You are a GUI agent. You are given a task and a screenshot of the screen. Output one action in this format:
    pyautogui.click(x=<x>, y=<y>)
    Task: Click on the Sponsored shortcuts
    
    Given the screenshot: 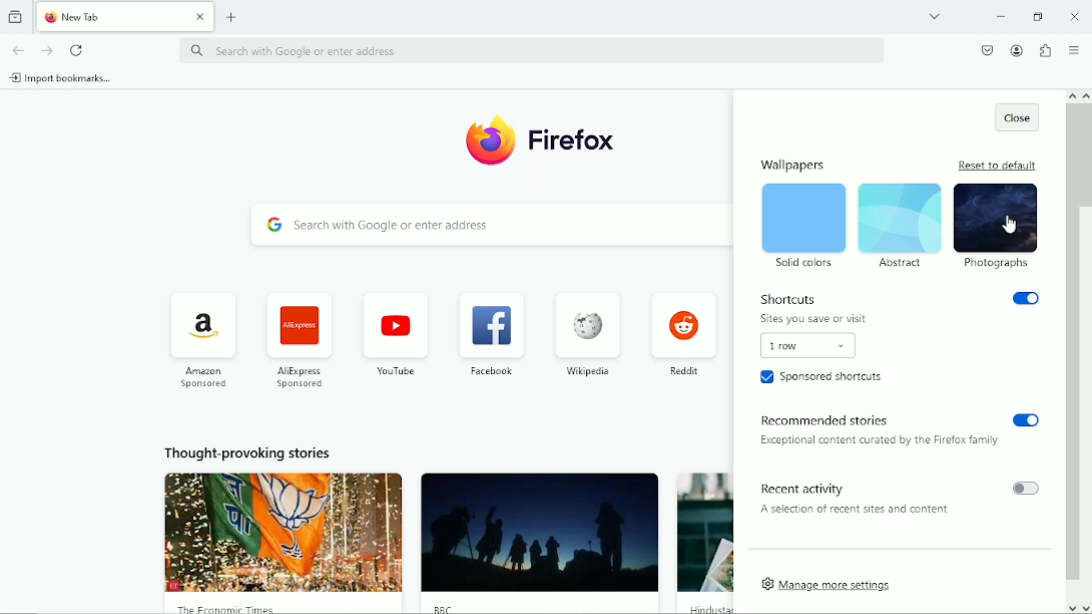 What is the action you would take?
    pyautogui.click(x=824, y=378)
    